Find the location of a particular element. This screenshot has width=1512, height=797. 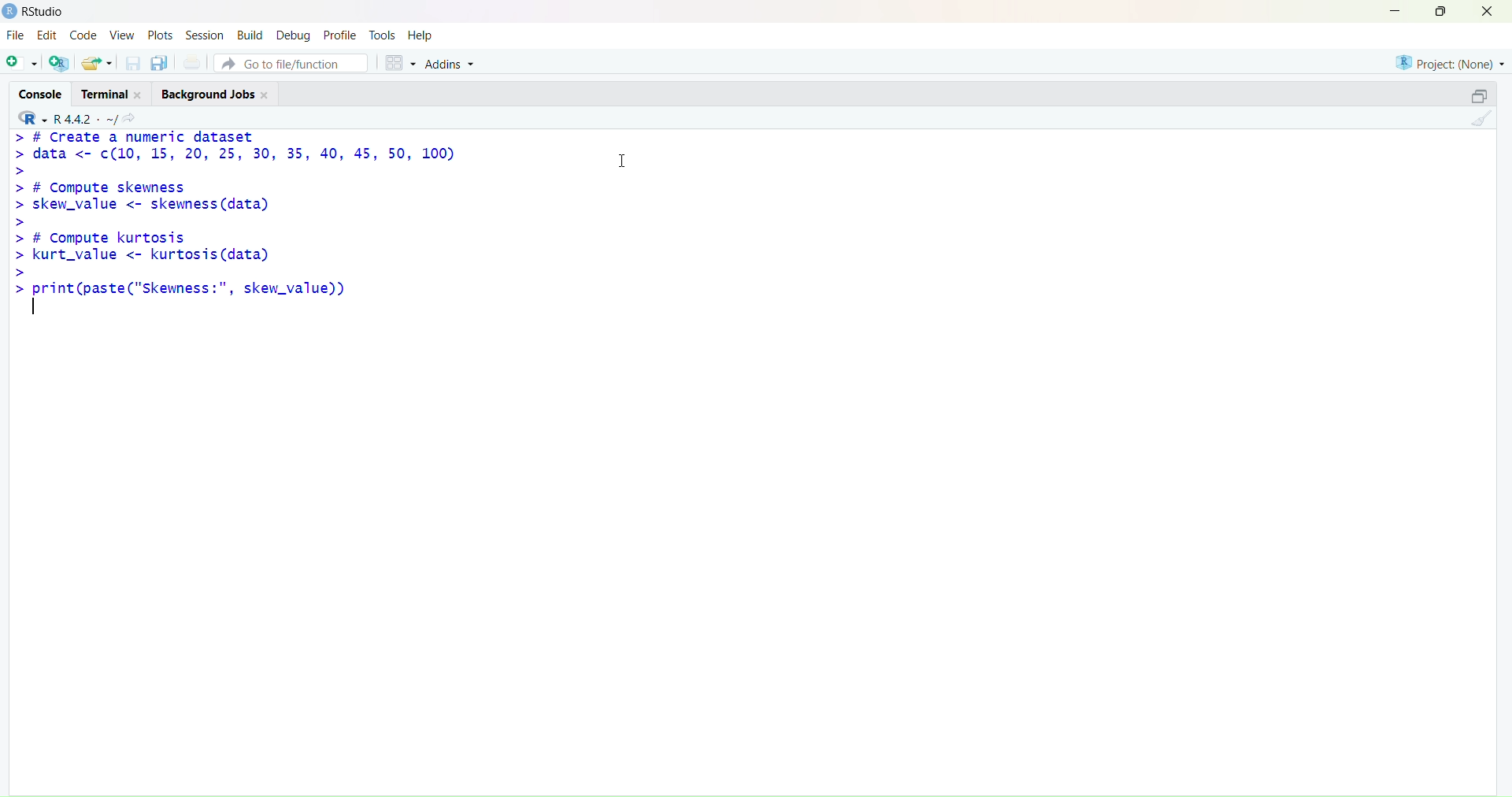

Edit is located at coordinates (50, 36).